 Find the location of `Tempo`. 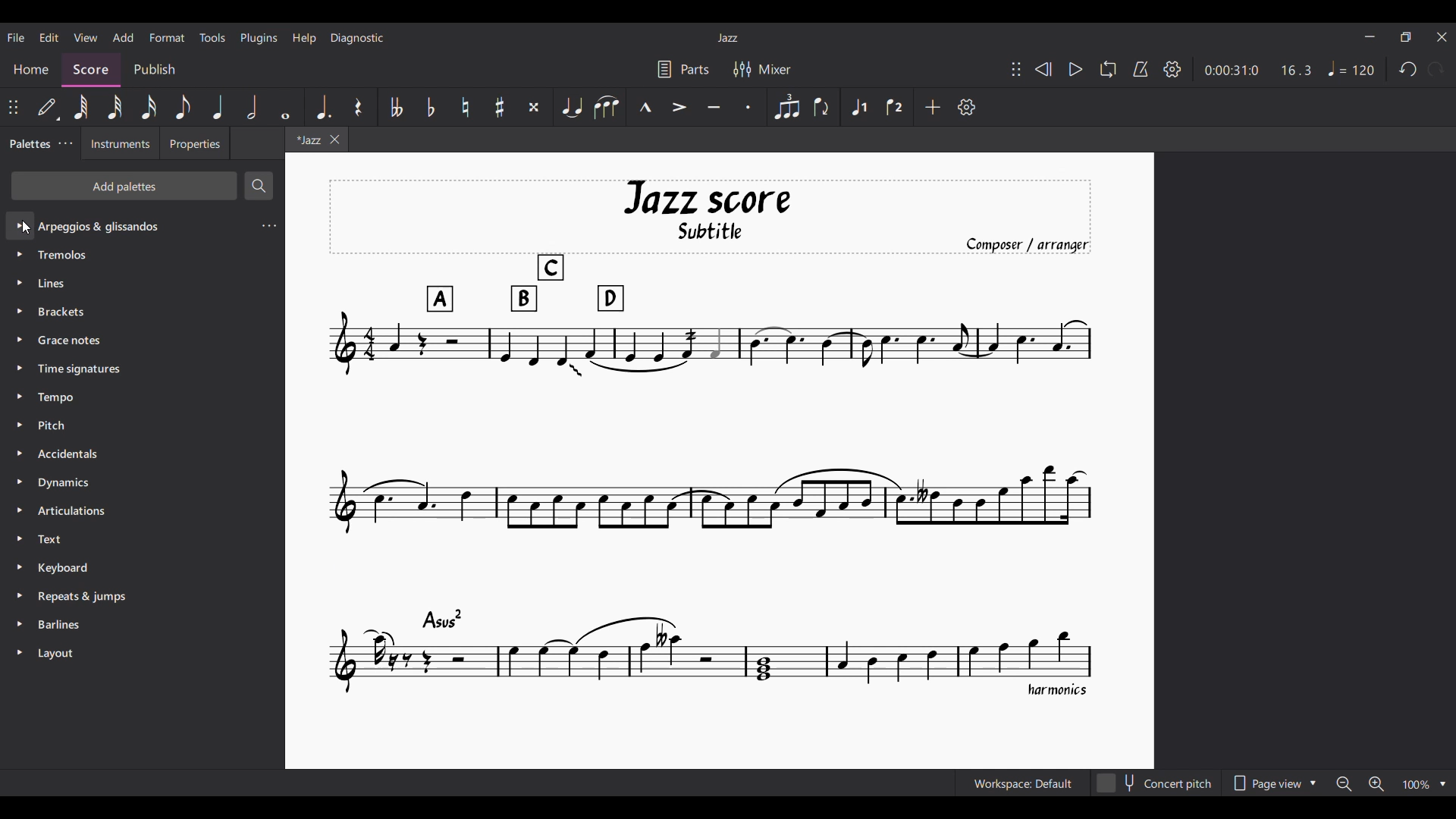

Tempo is located at coordinates (63, 400).